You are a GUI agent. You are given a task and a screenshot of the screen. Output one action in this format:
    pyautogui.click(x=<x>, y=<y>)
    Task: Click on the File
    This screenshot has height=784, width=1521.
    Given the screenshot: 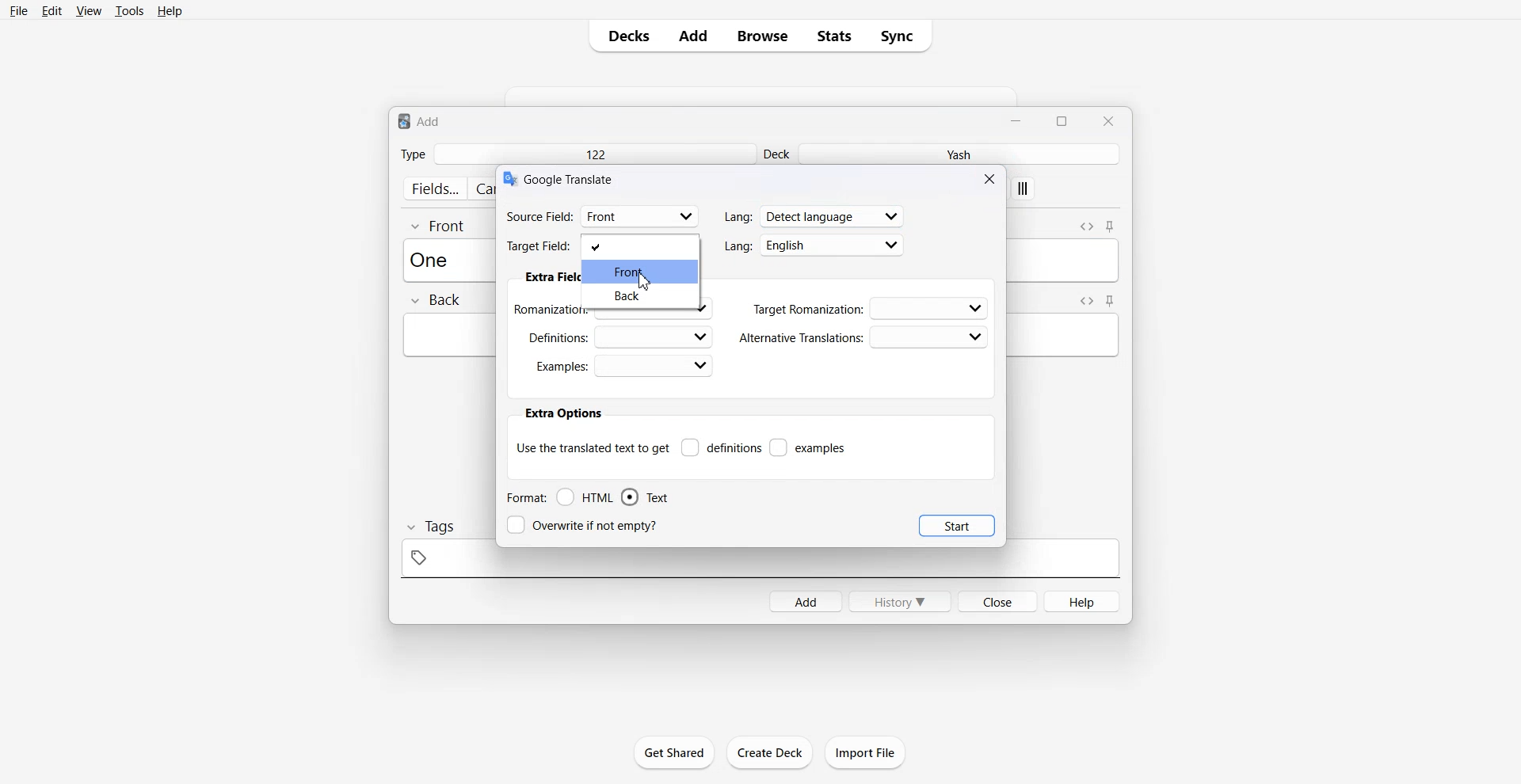 What is the action you would take?
    pyautogui.click(x=20, y=10)
    